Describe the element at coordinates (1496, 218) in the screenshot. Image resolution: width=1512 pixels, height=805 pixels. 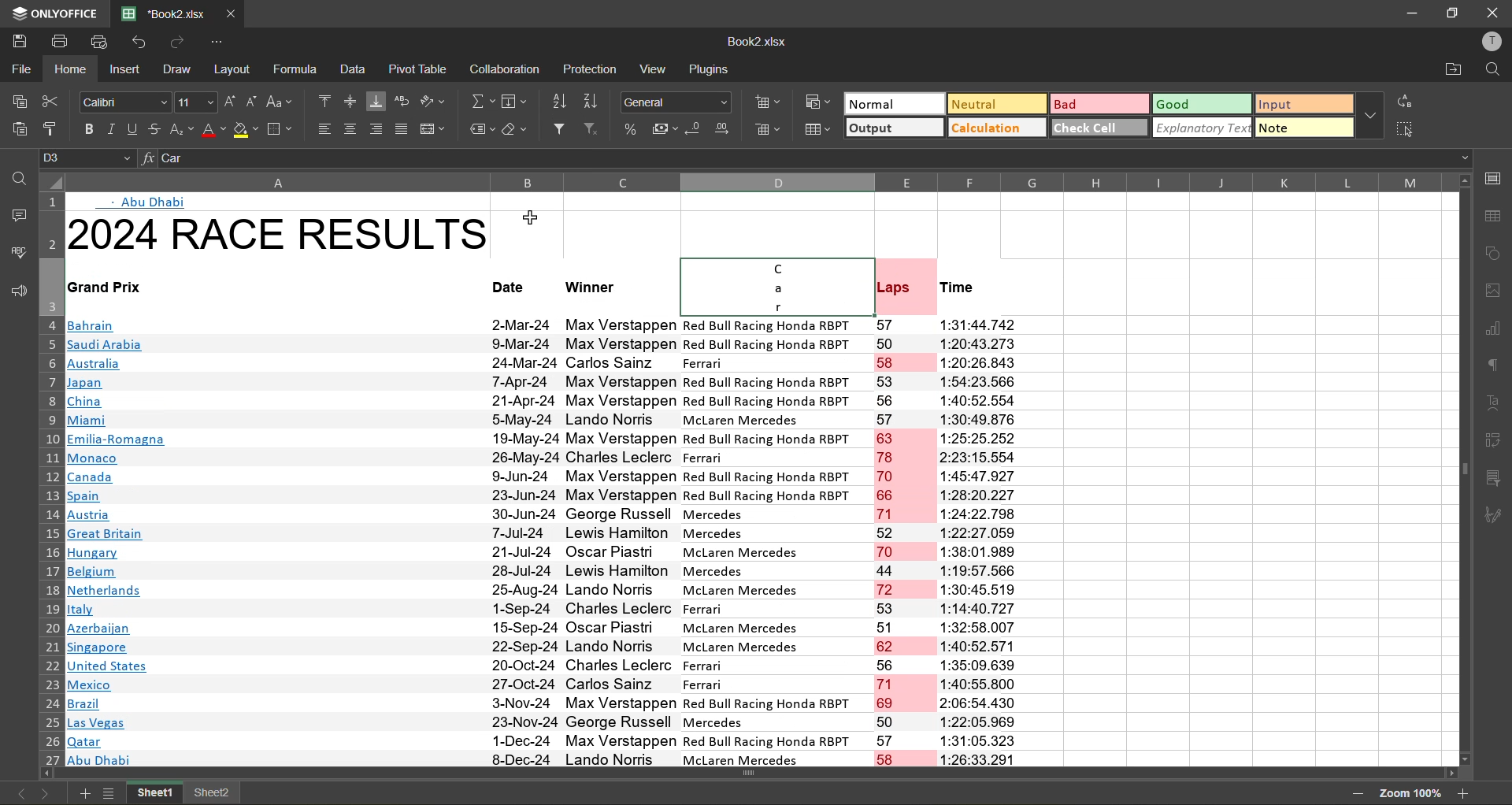
I see `table` at that location.